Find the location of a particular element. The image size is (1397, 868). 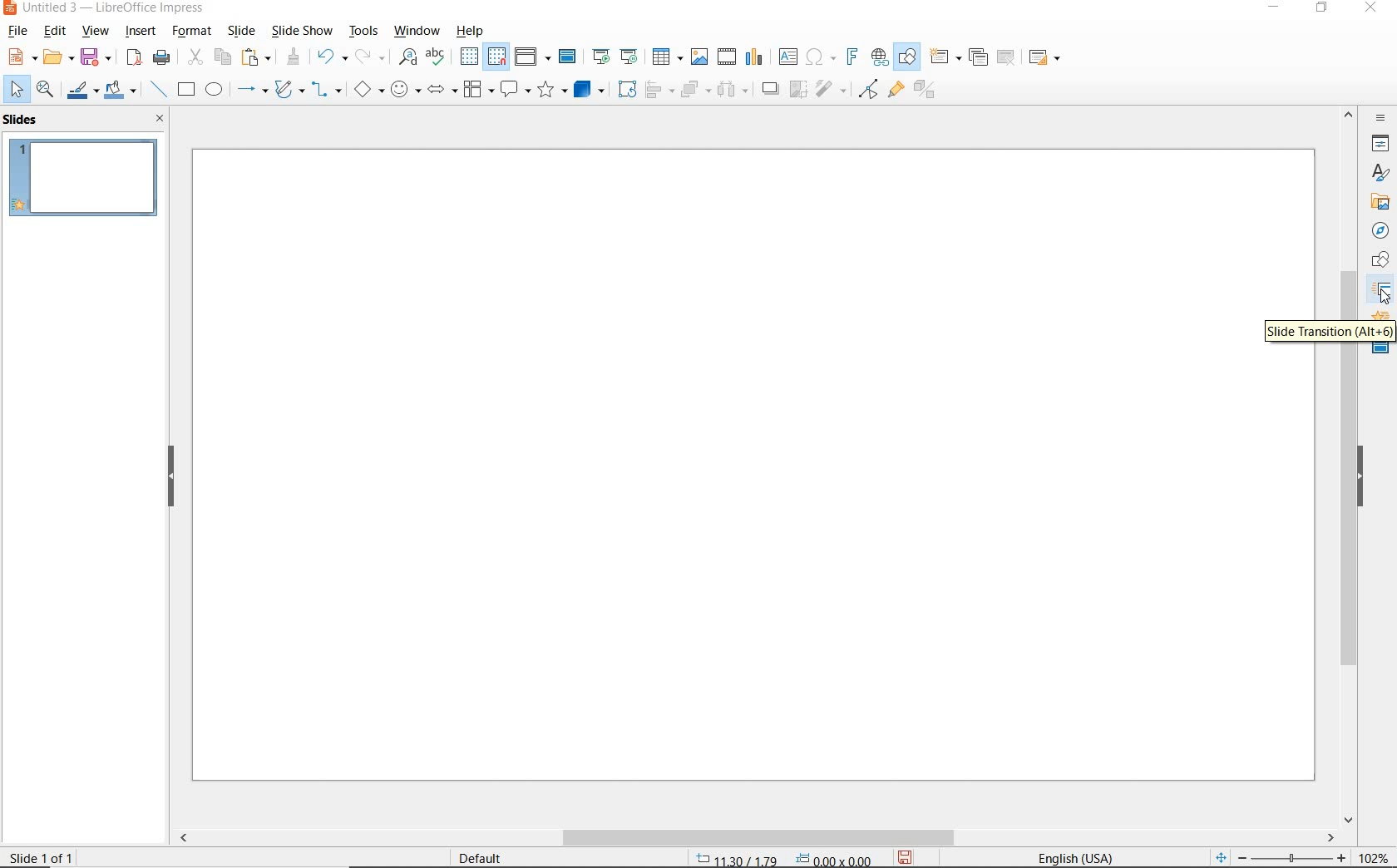

SLIDES is located at coordinates (26, 121).